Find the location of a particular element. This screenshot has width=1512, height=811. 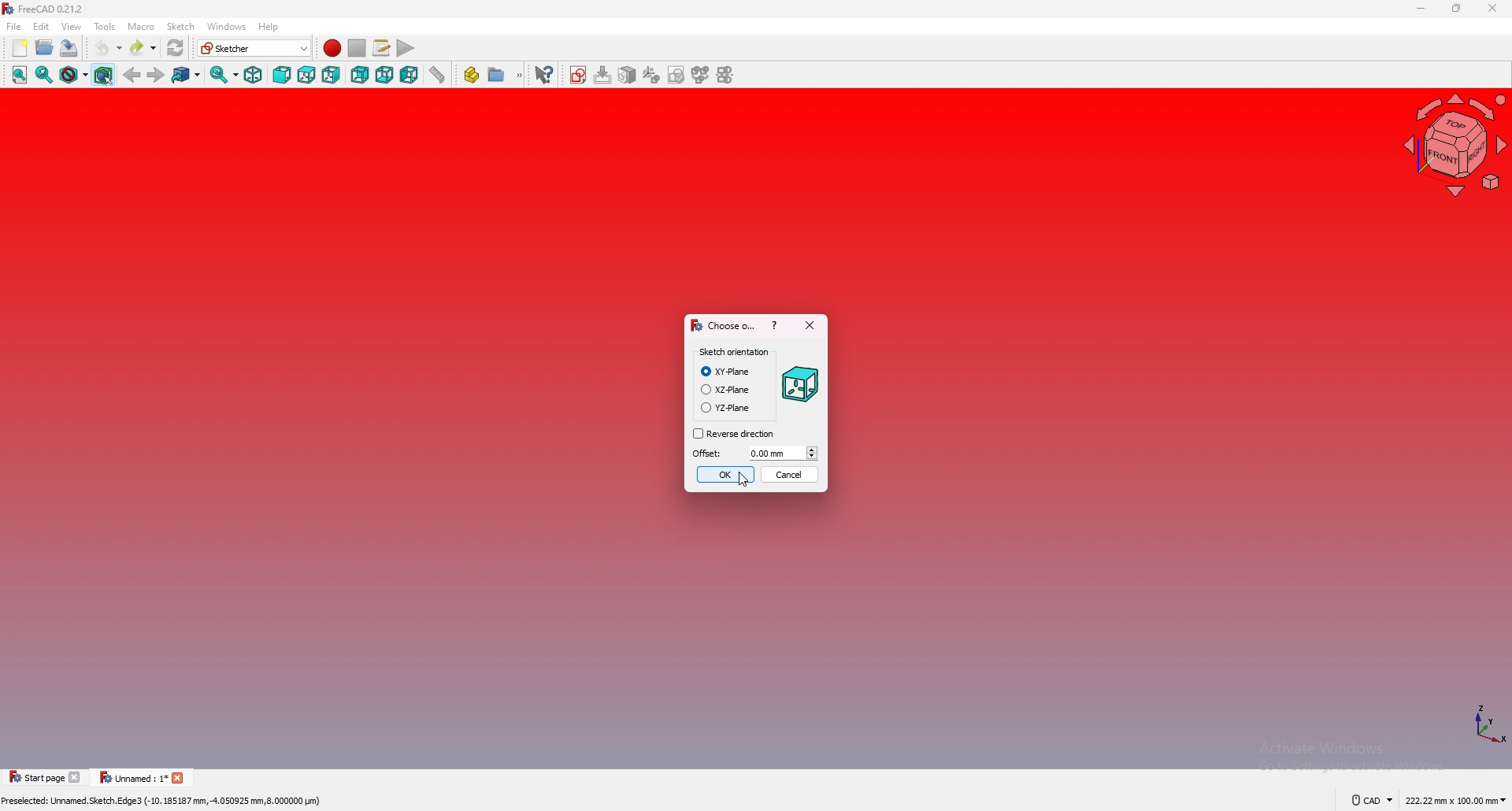

stop macro is located at coordinates (356, 47).